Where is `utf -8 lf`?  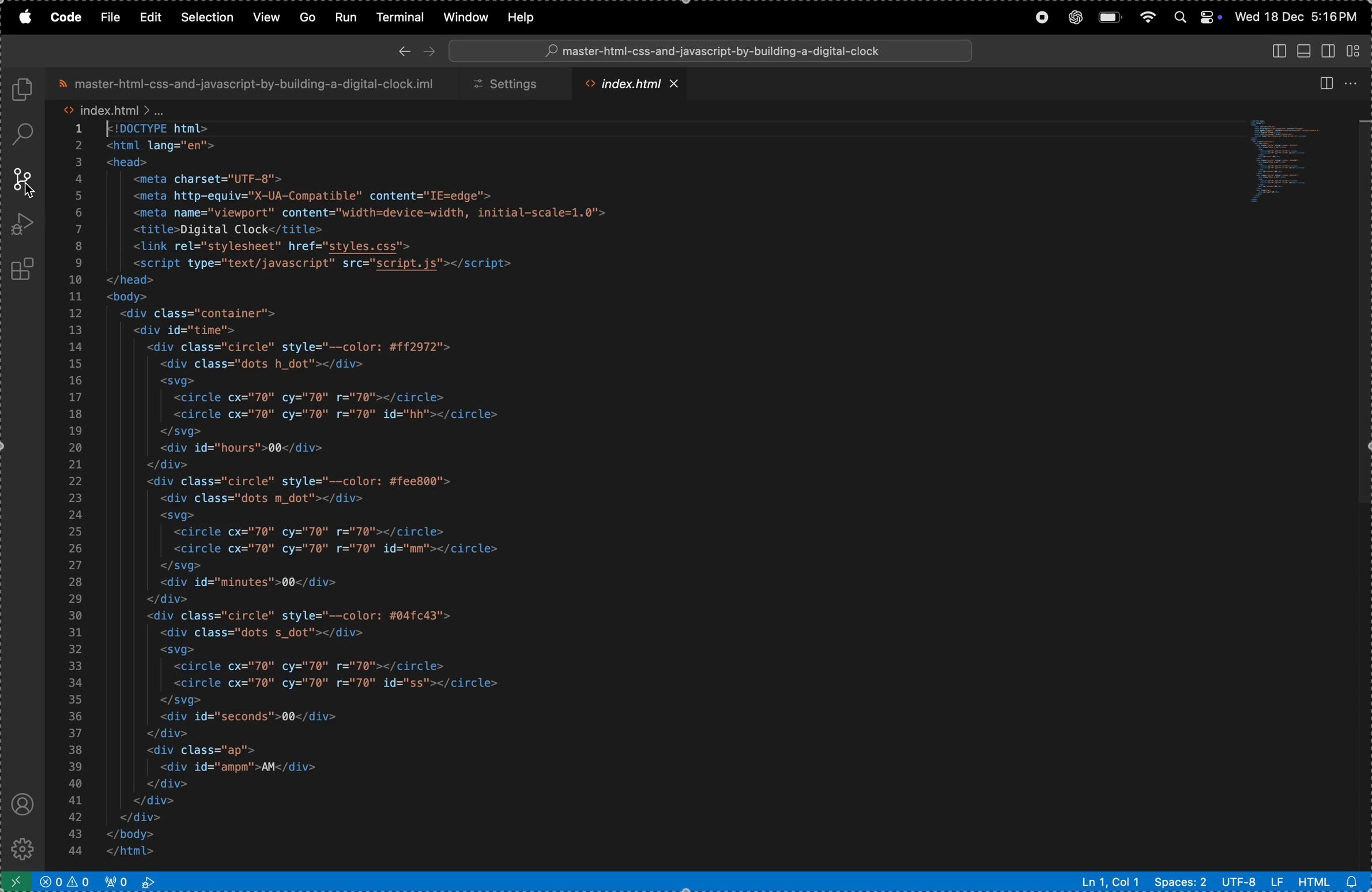 utf -8 lf is located at coordinates (1252, 881).